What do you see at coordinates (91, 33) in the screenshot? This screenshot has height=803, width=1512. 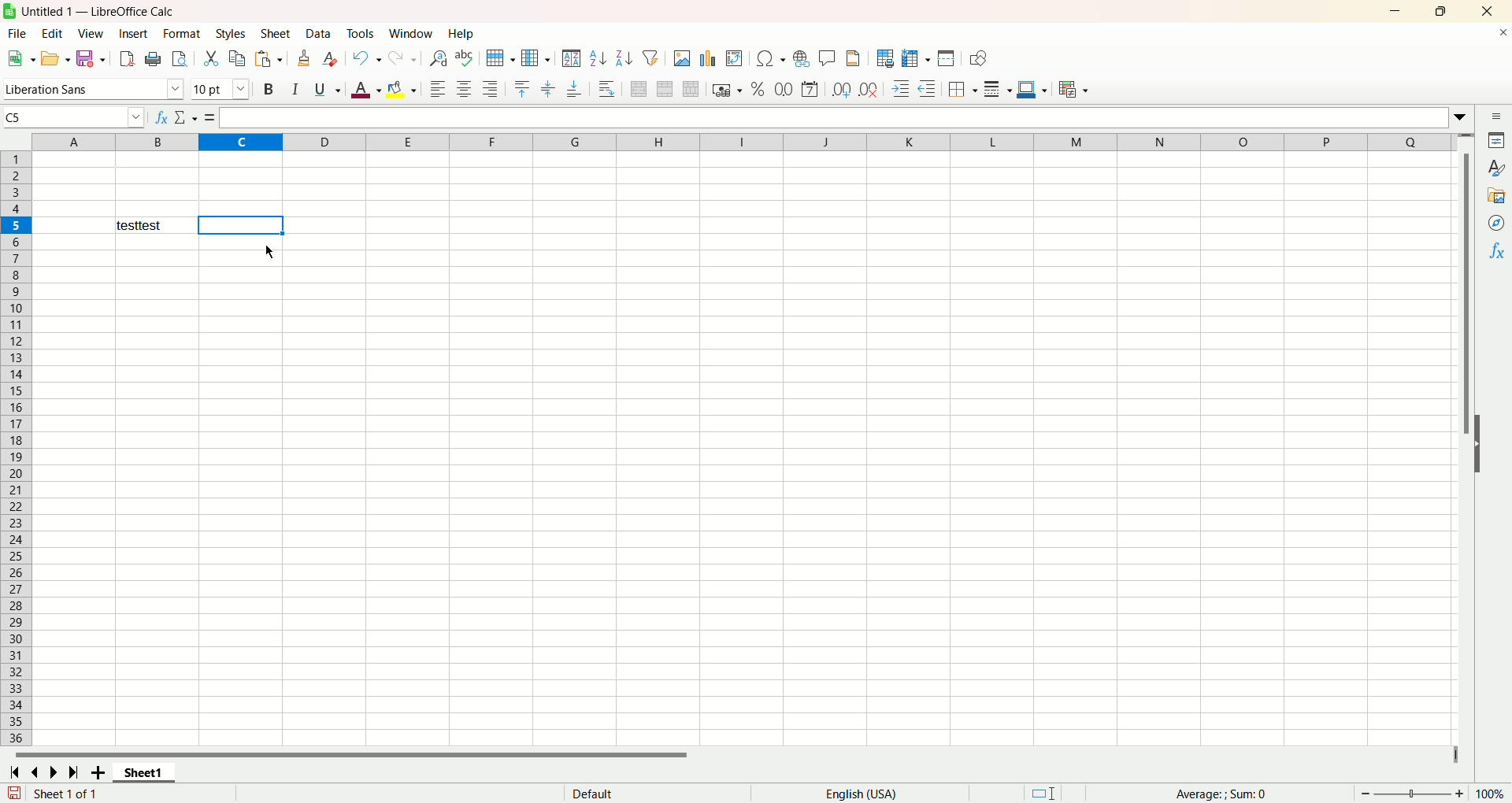 I see `view` at bounding box center [91, 33].